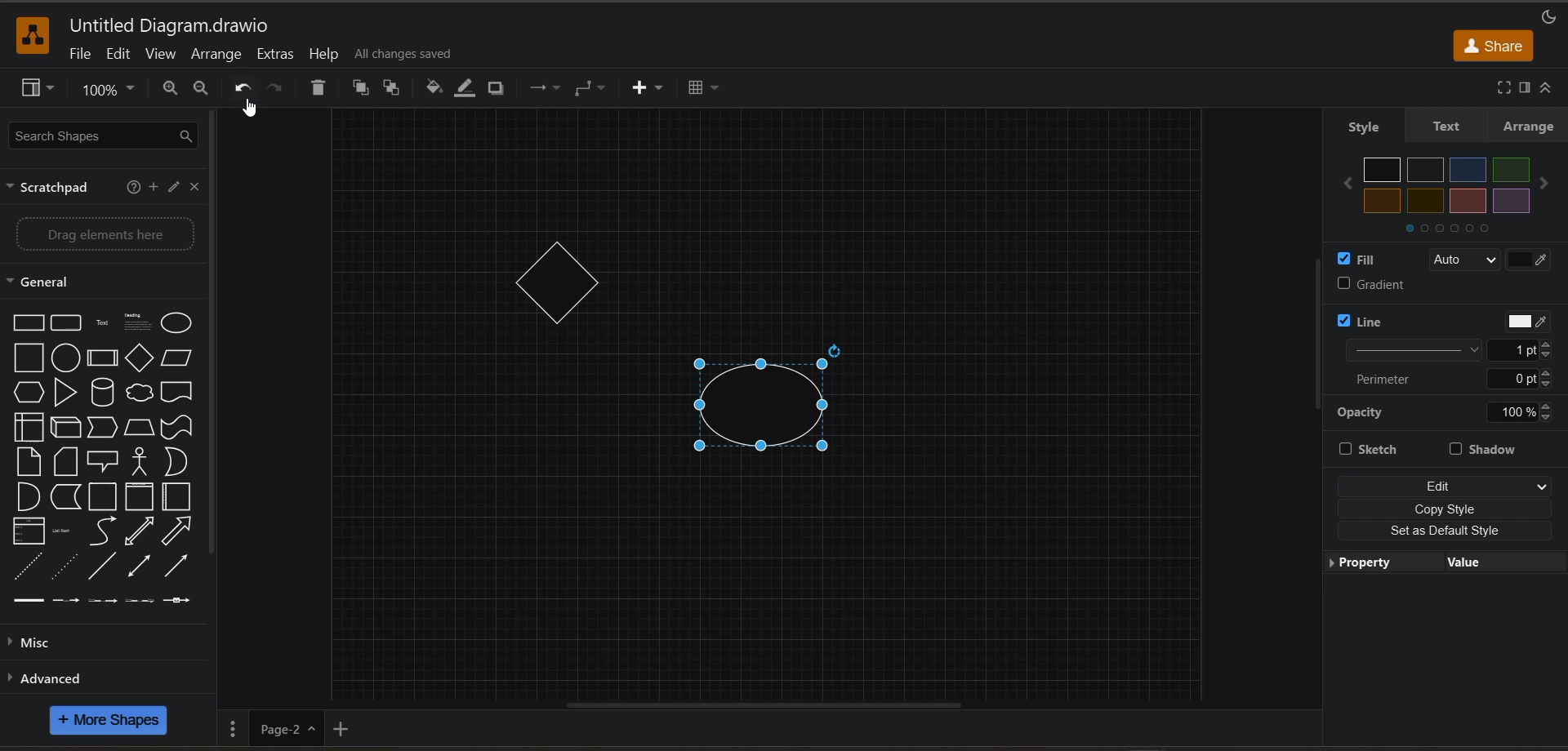 The image size is (1568, 751). I want to click on general, so click(52, 281).